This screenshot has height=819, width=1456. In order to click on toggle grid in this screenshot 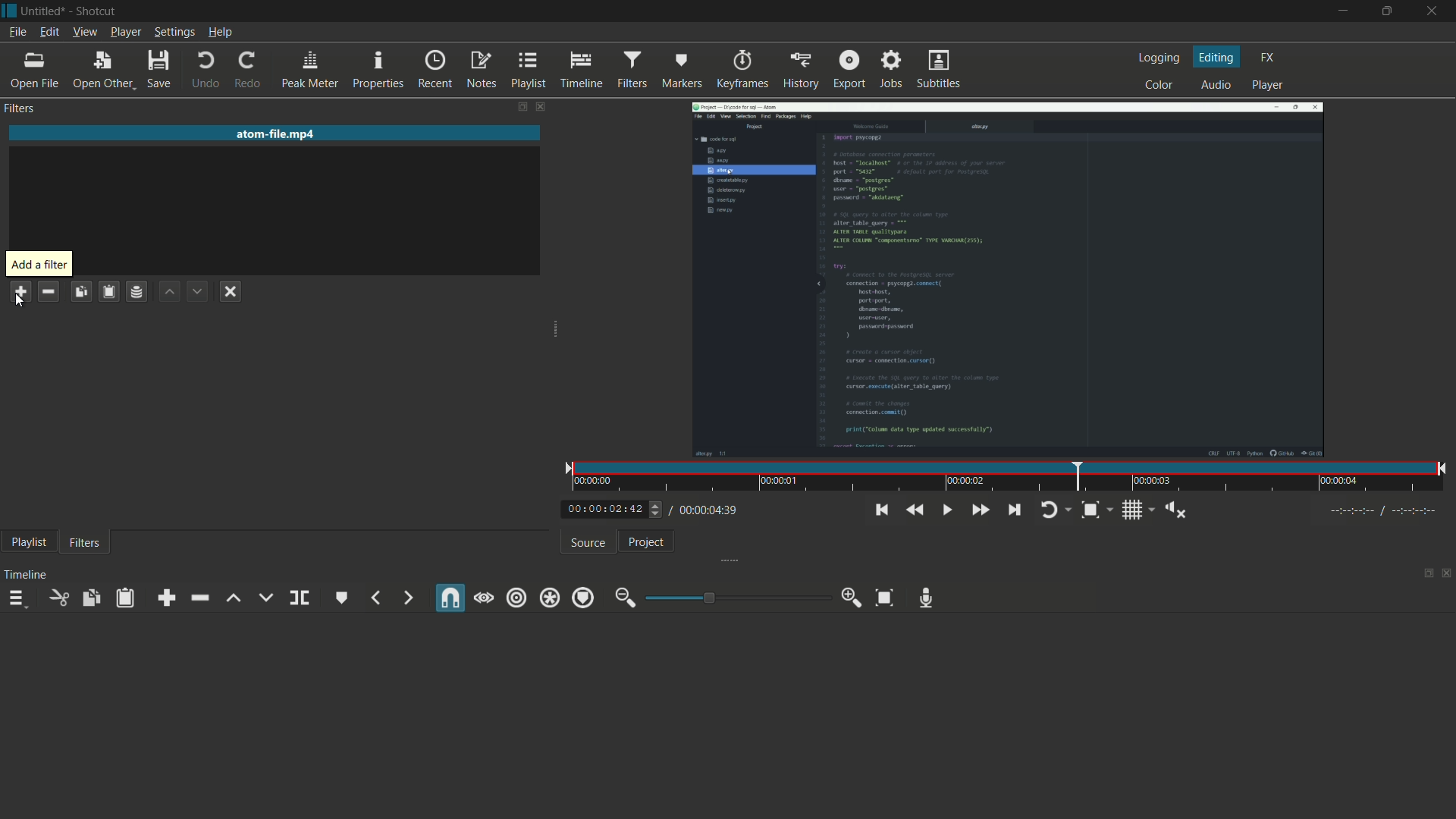, I will do `click(1141, 510)`.